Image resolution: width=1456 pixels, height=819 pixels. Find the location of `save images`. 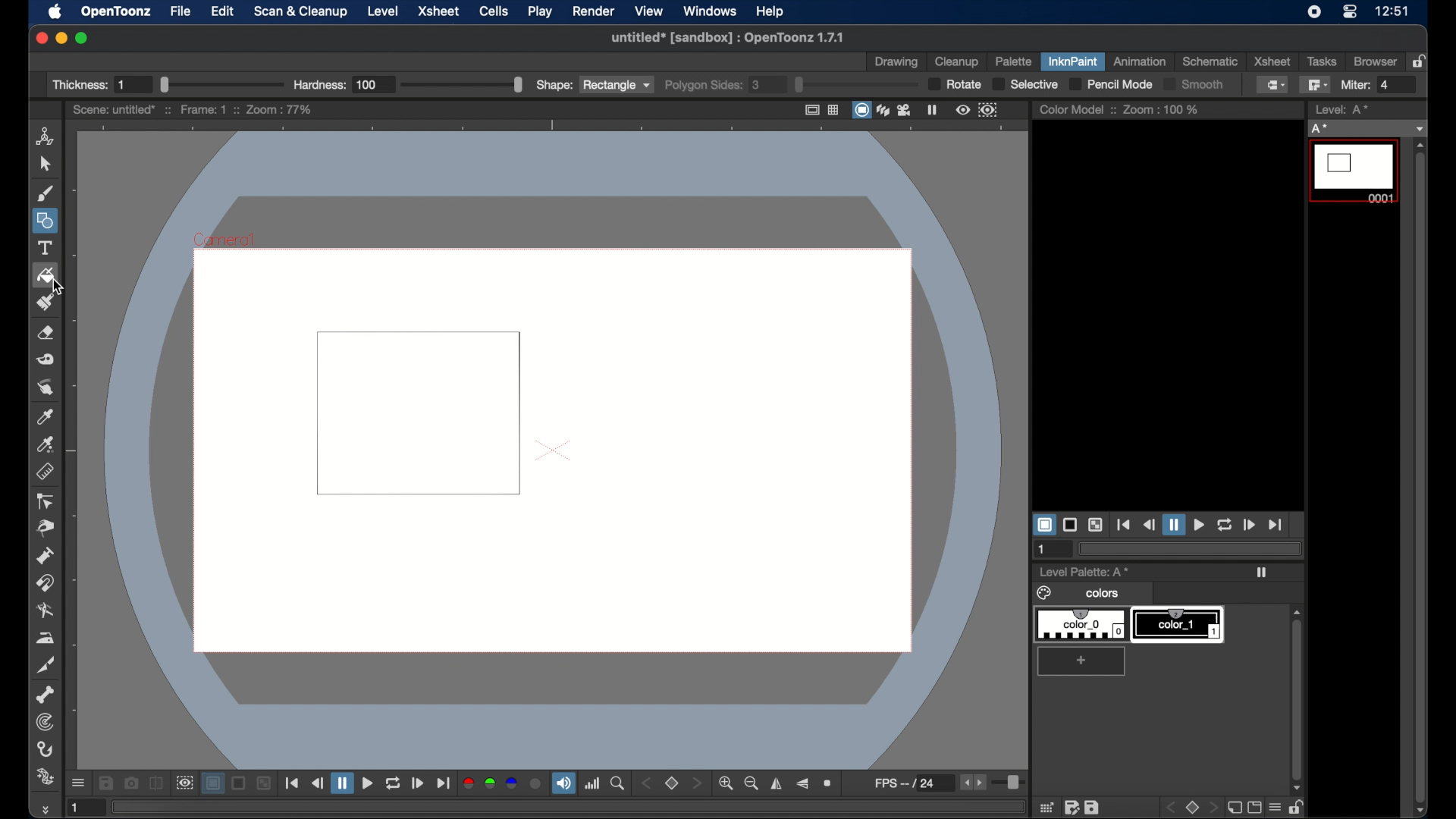

save images is located at coordinates (105, 783).